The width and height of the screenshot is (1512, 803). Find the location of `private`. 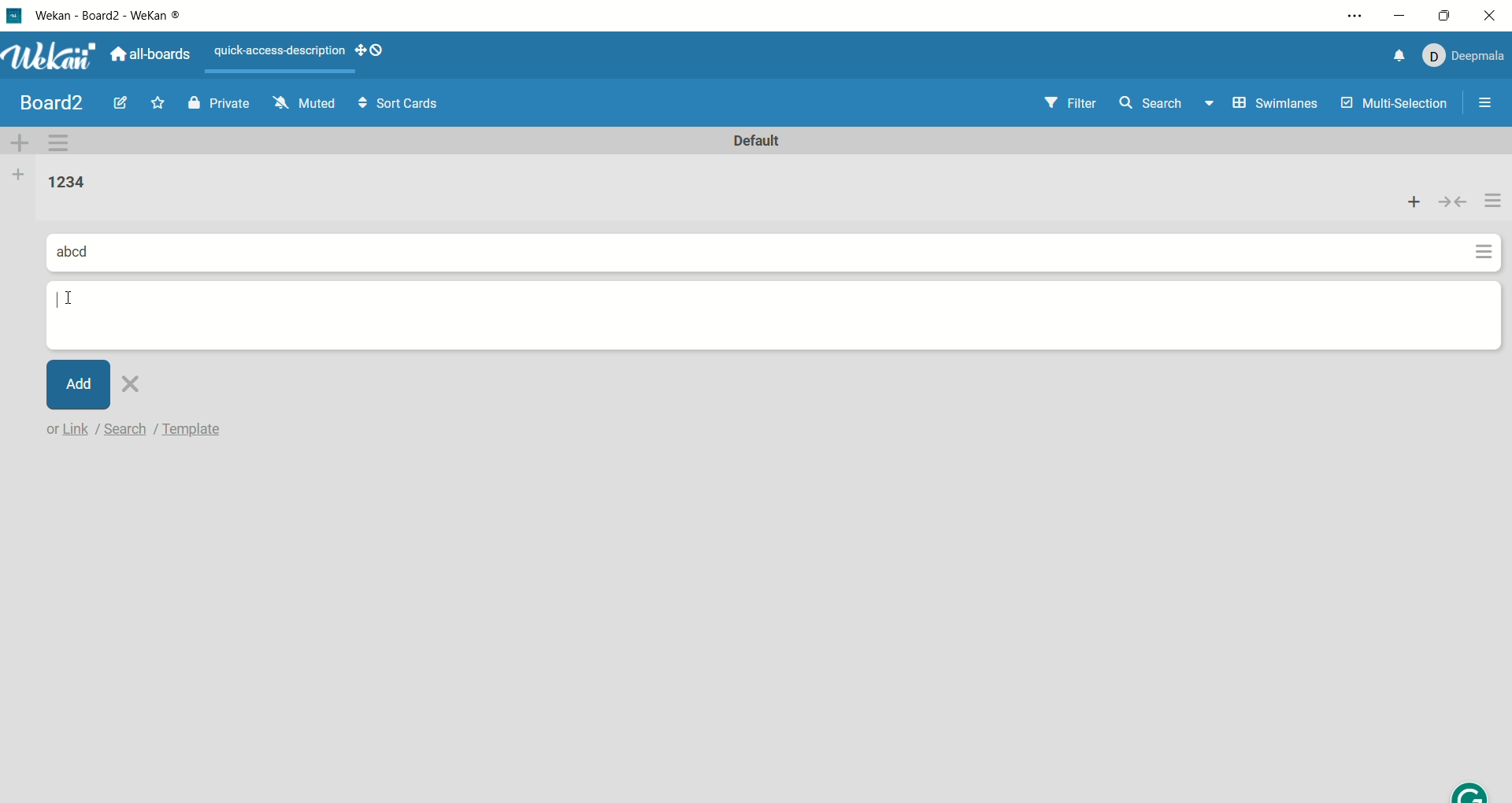

private is located at coordinates (217, 101).